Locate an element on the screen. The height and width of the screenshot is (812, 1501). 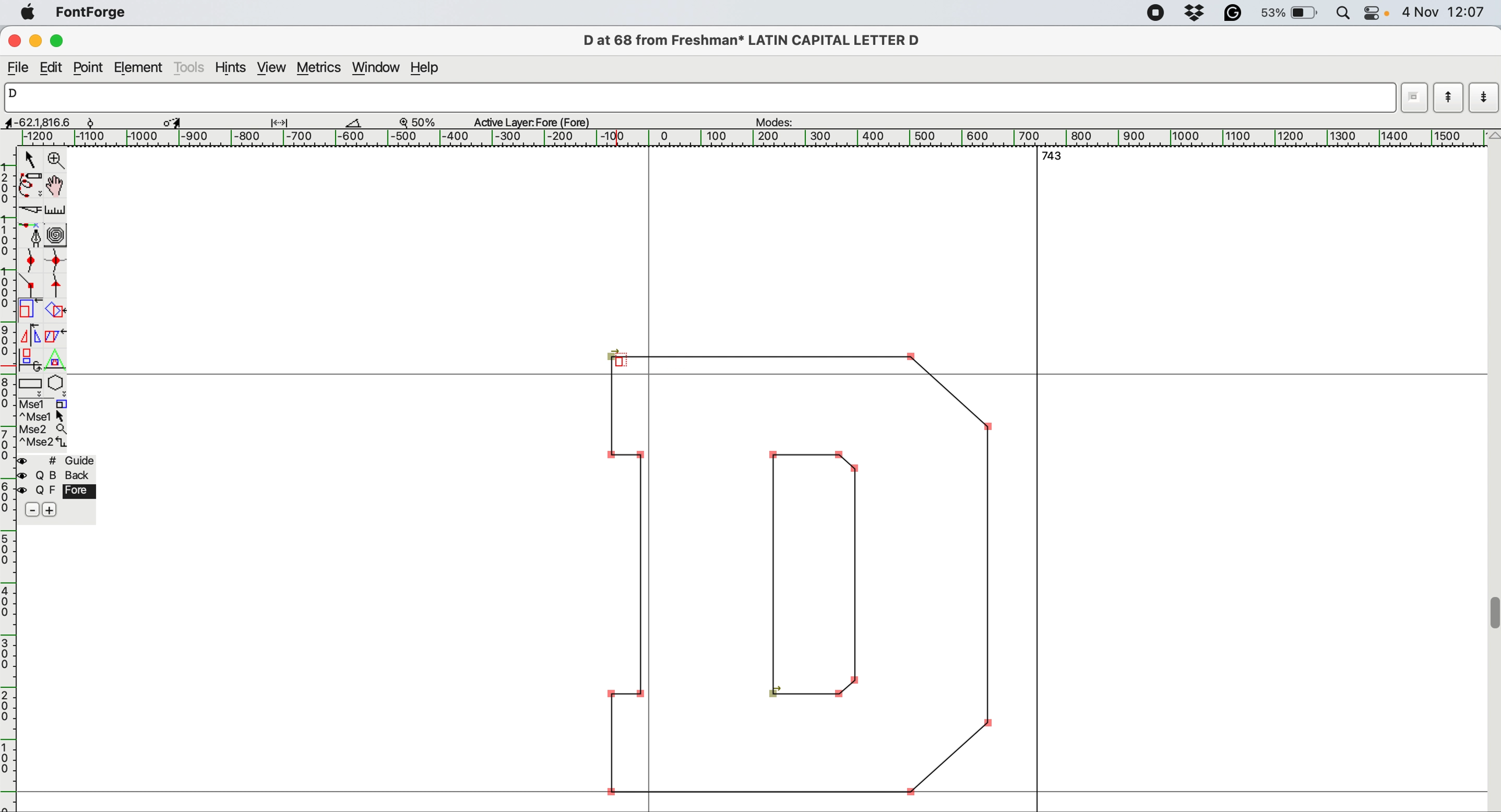
cursor is located at coordinates (619, 358).